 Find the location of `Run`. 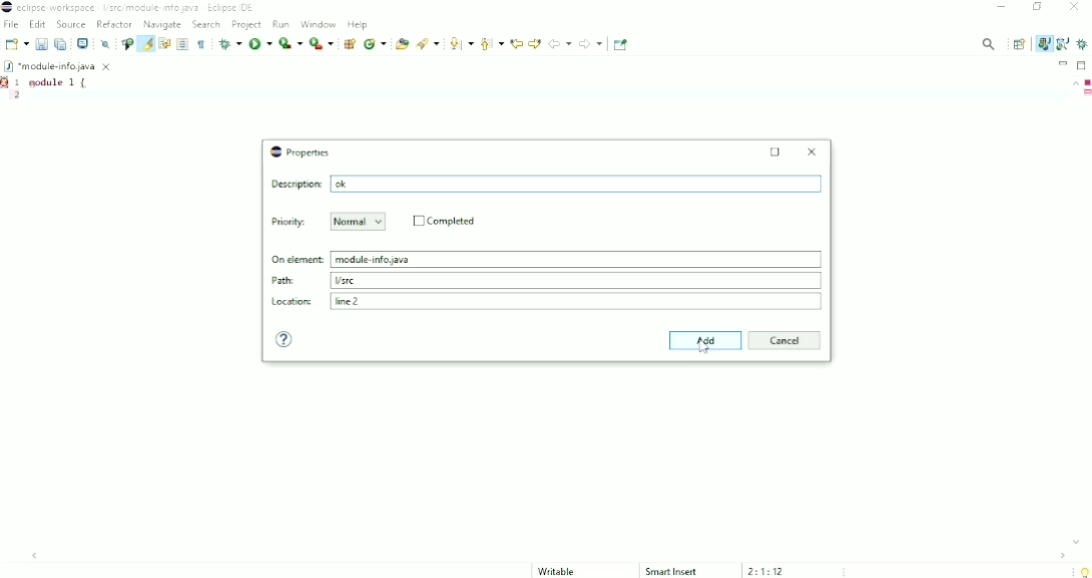

Run is located at coordinates (260, 43).